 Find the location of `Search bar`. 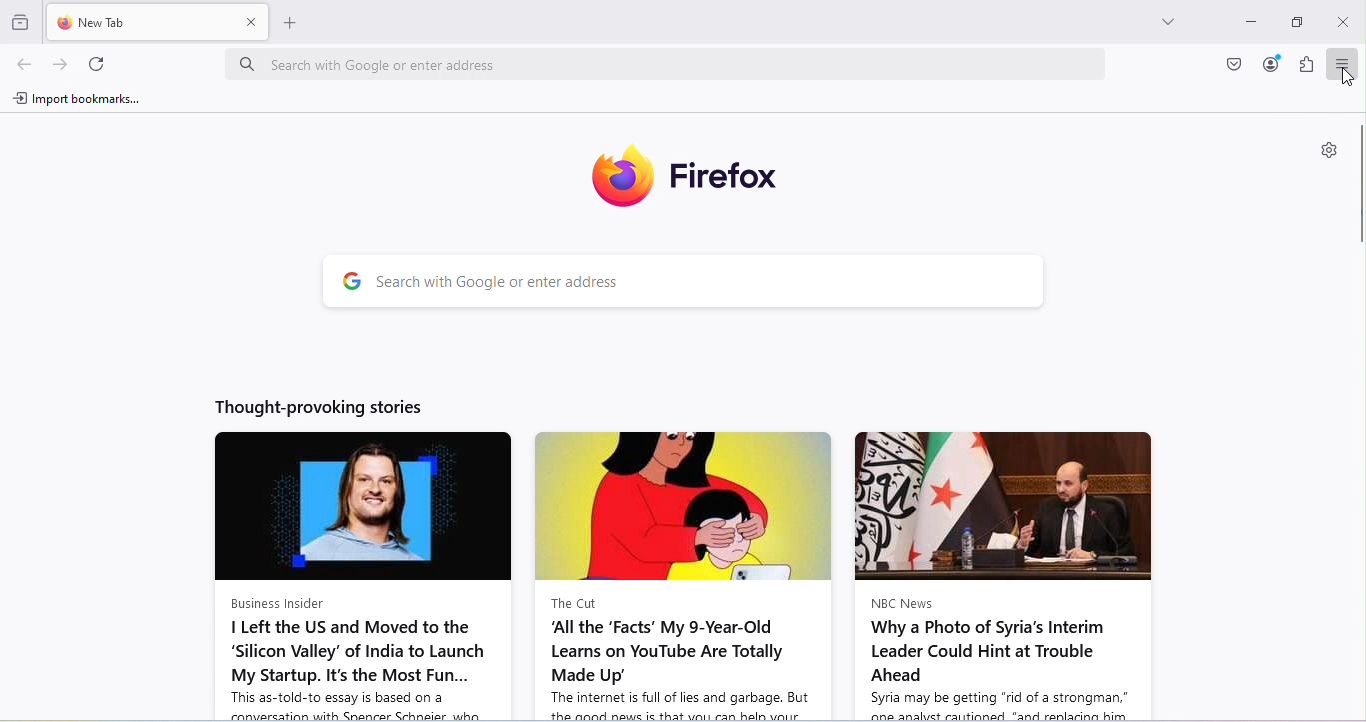

Search bar is located at coordinates (708, 284).